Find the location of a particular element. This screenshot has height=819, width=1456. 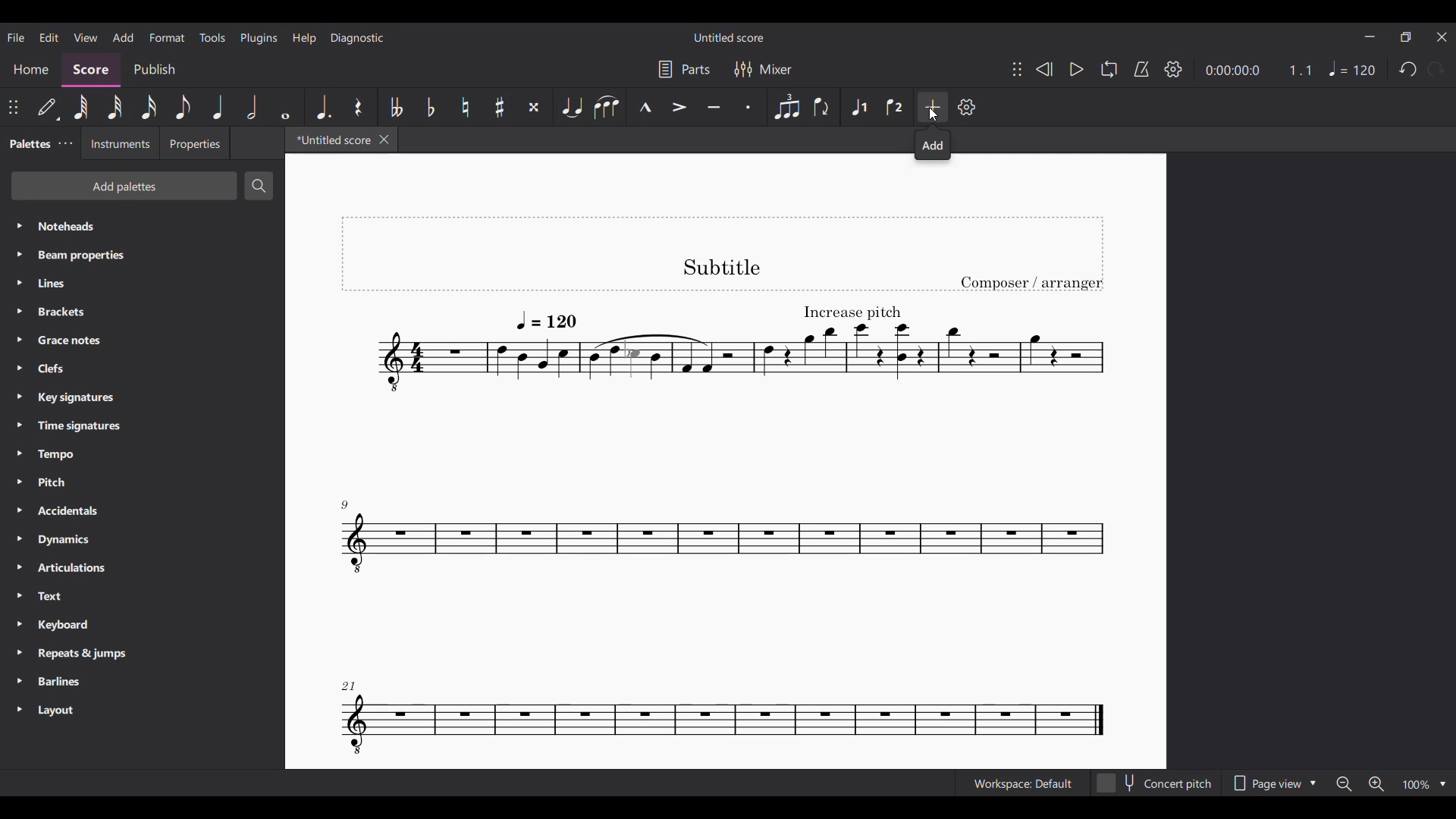

Untitled score is located at coordinates (729, 37).